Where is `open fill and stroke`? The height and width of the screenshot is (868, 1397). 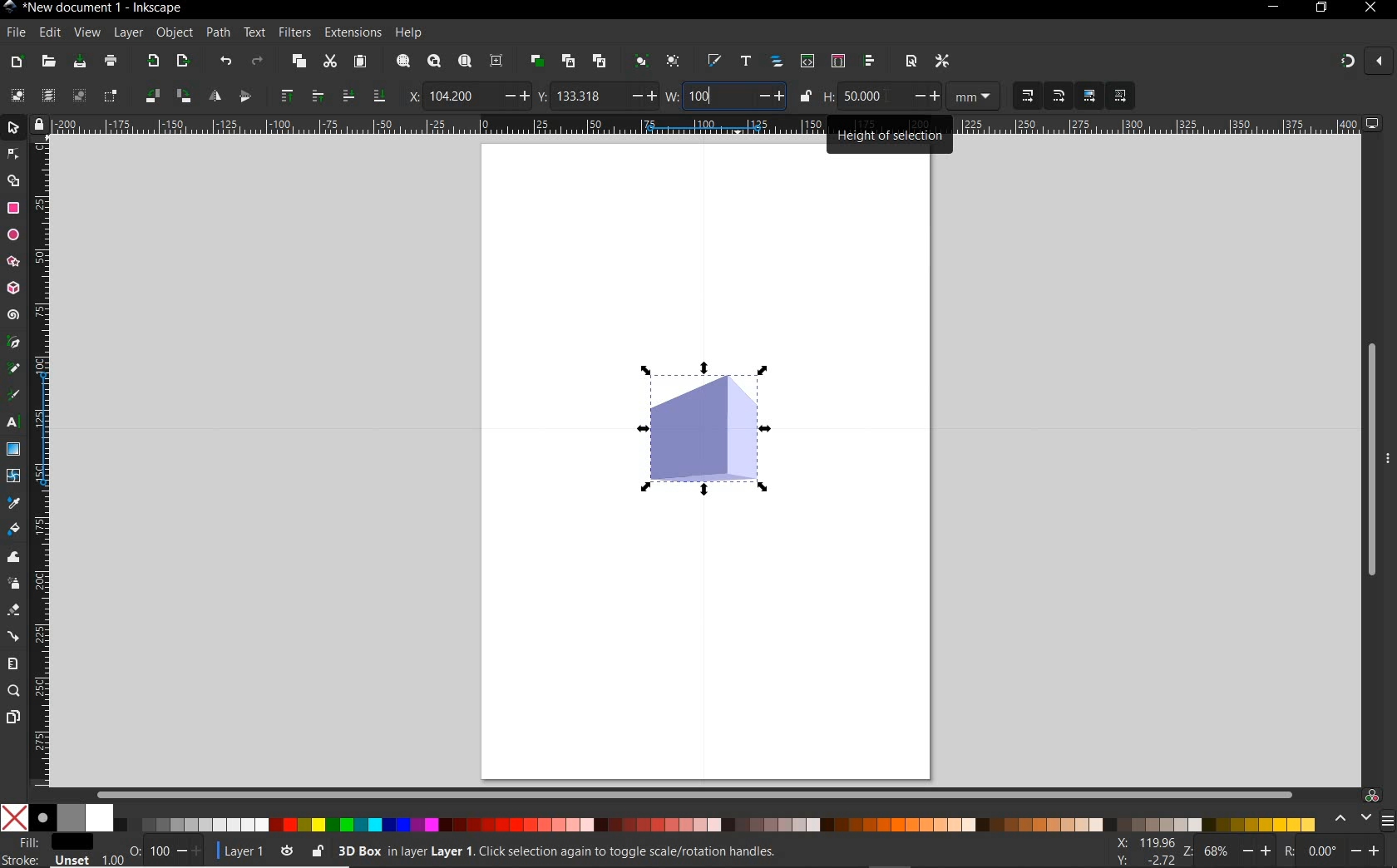 open fill and stroke is located at coordinates (713, 61).